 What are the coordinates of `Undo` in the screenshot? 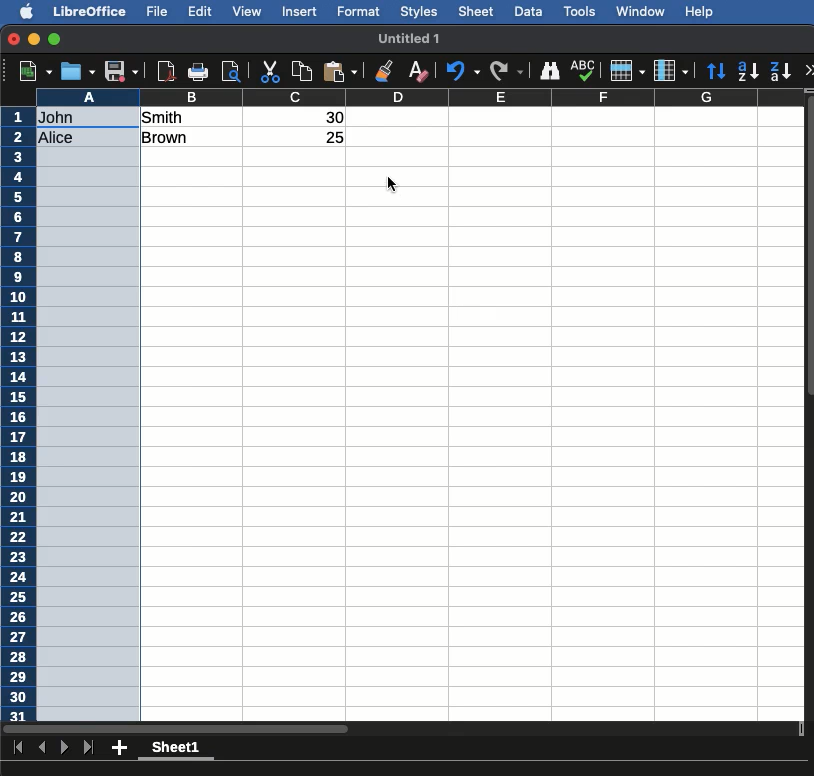 It's located at (465, 70).